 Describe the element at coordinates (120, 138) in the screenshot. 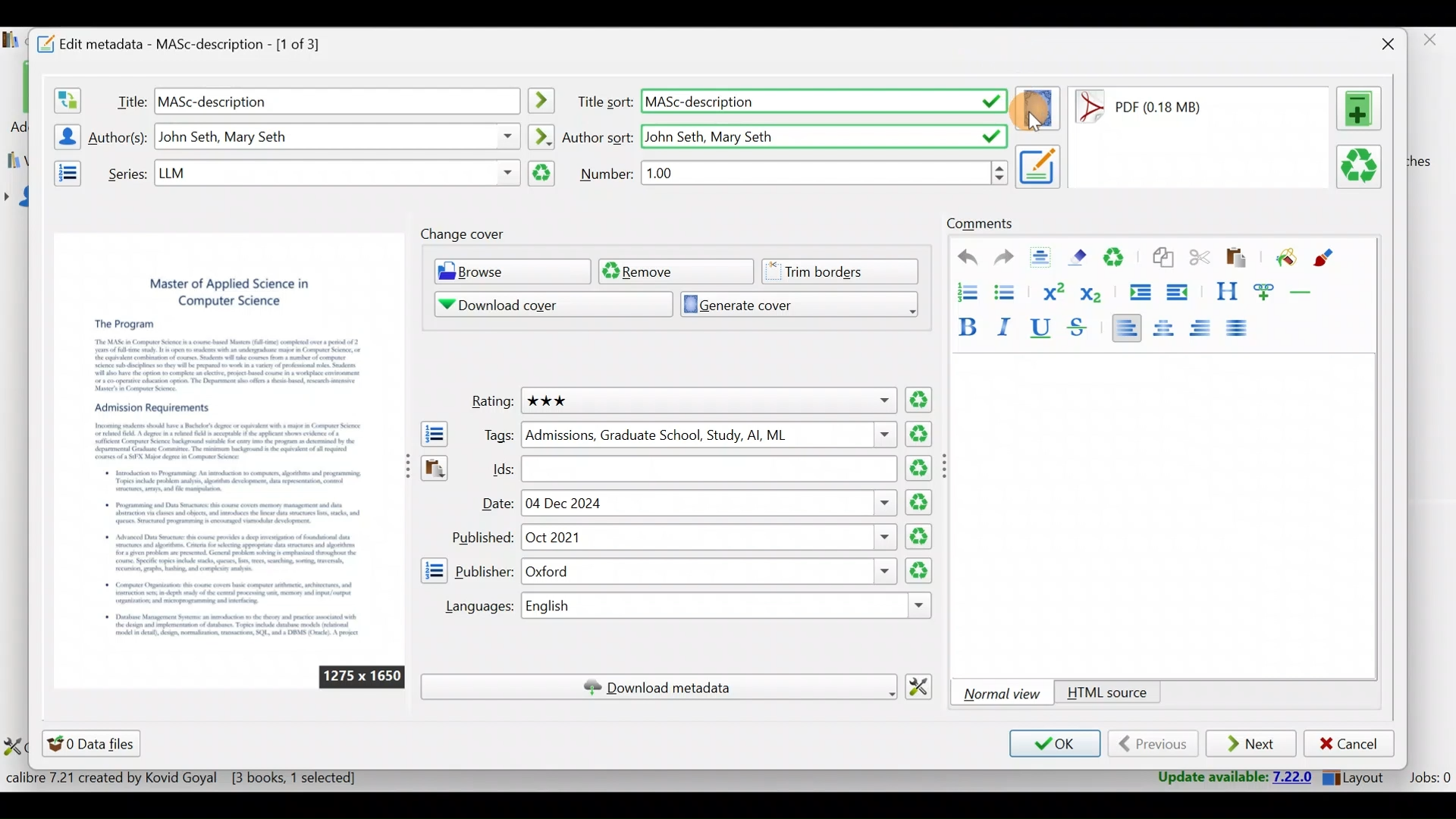

I see `Authors` at that location.